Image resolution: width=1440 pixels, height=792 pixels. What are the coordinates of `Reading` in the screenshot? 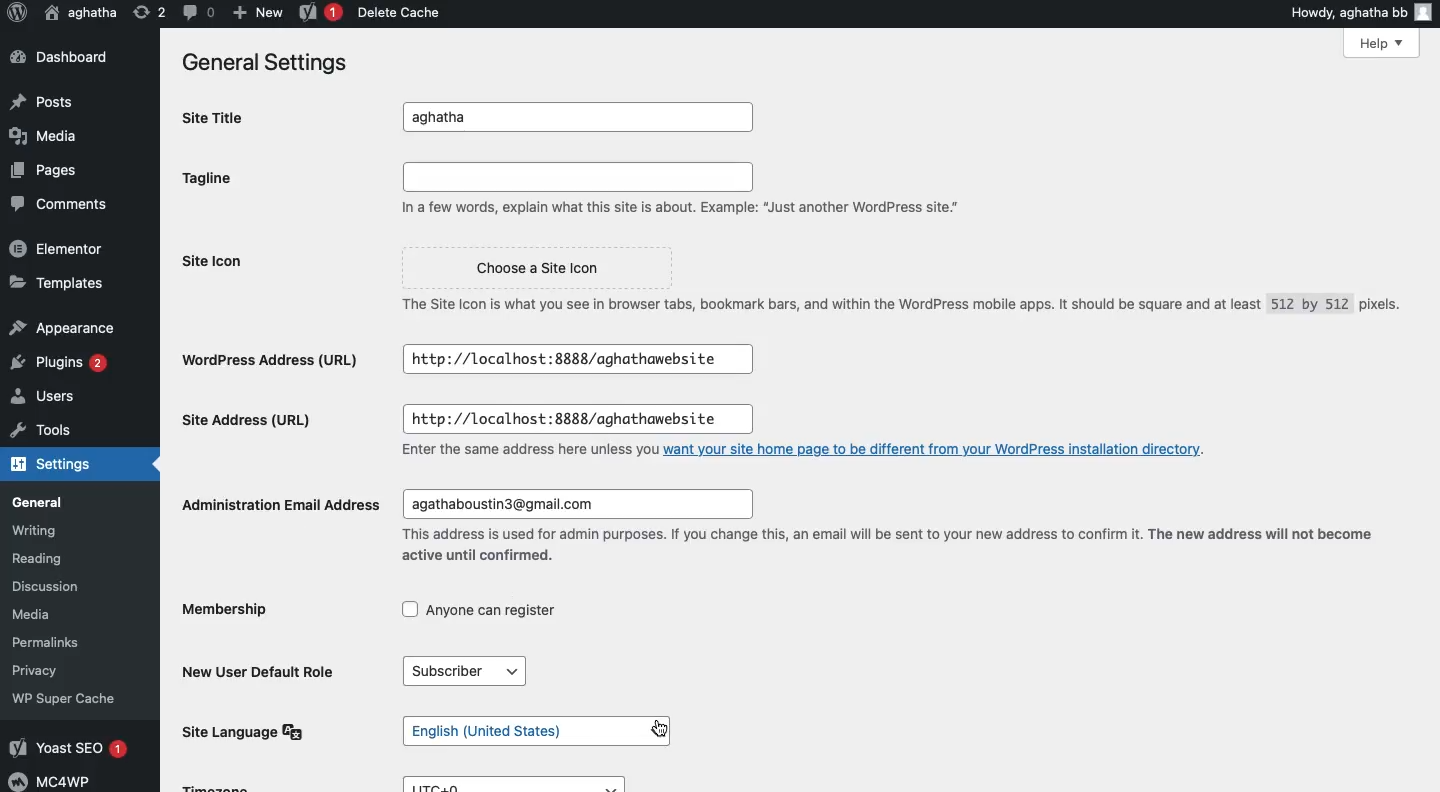 It's located at (58, 559).